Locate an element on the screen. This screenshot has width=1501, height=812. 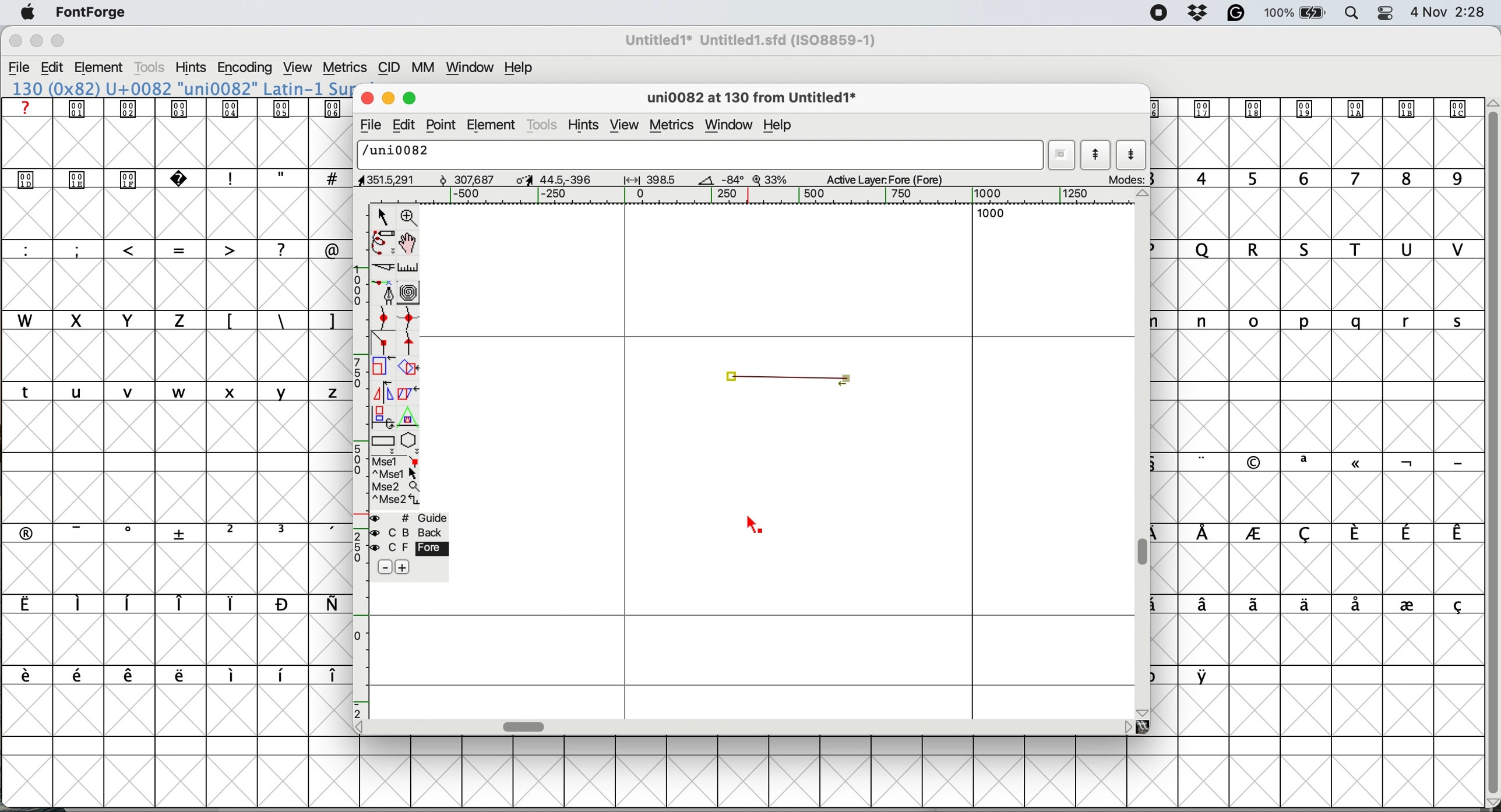
metrics is located at coordinates (674, 127).